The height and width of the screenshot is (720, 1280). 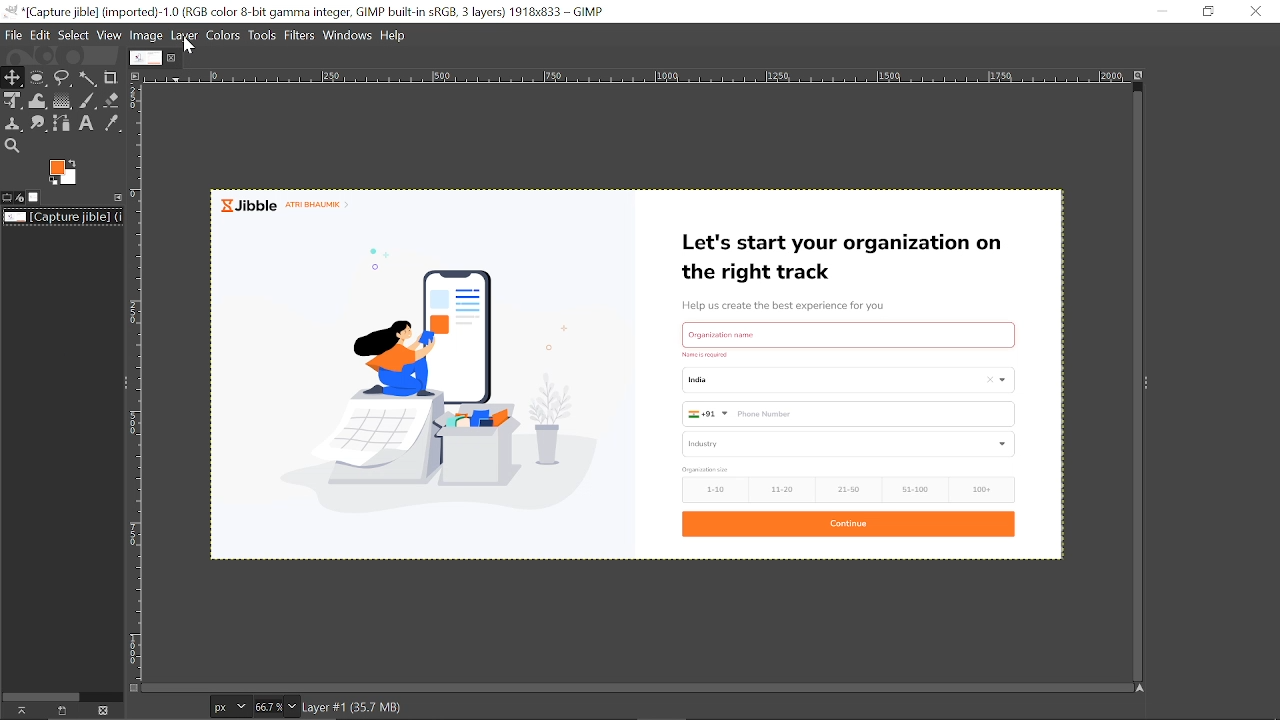 What do you see at coordinates (41, 695) in the screenshot?
I see `Horizontal scrollbar for tools` at bounding box center [41, 695].